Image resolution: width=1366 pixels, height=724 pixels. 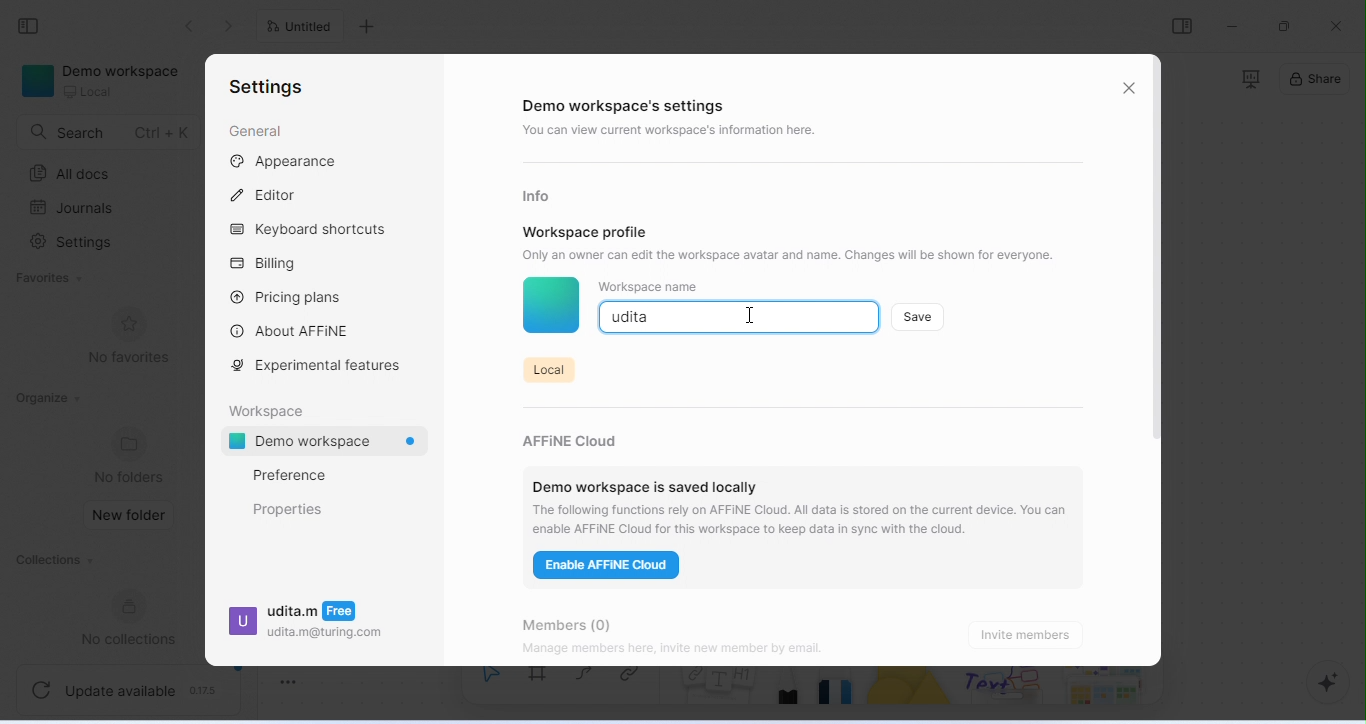 I want to click on appearance, so click(x=285, y=162).